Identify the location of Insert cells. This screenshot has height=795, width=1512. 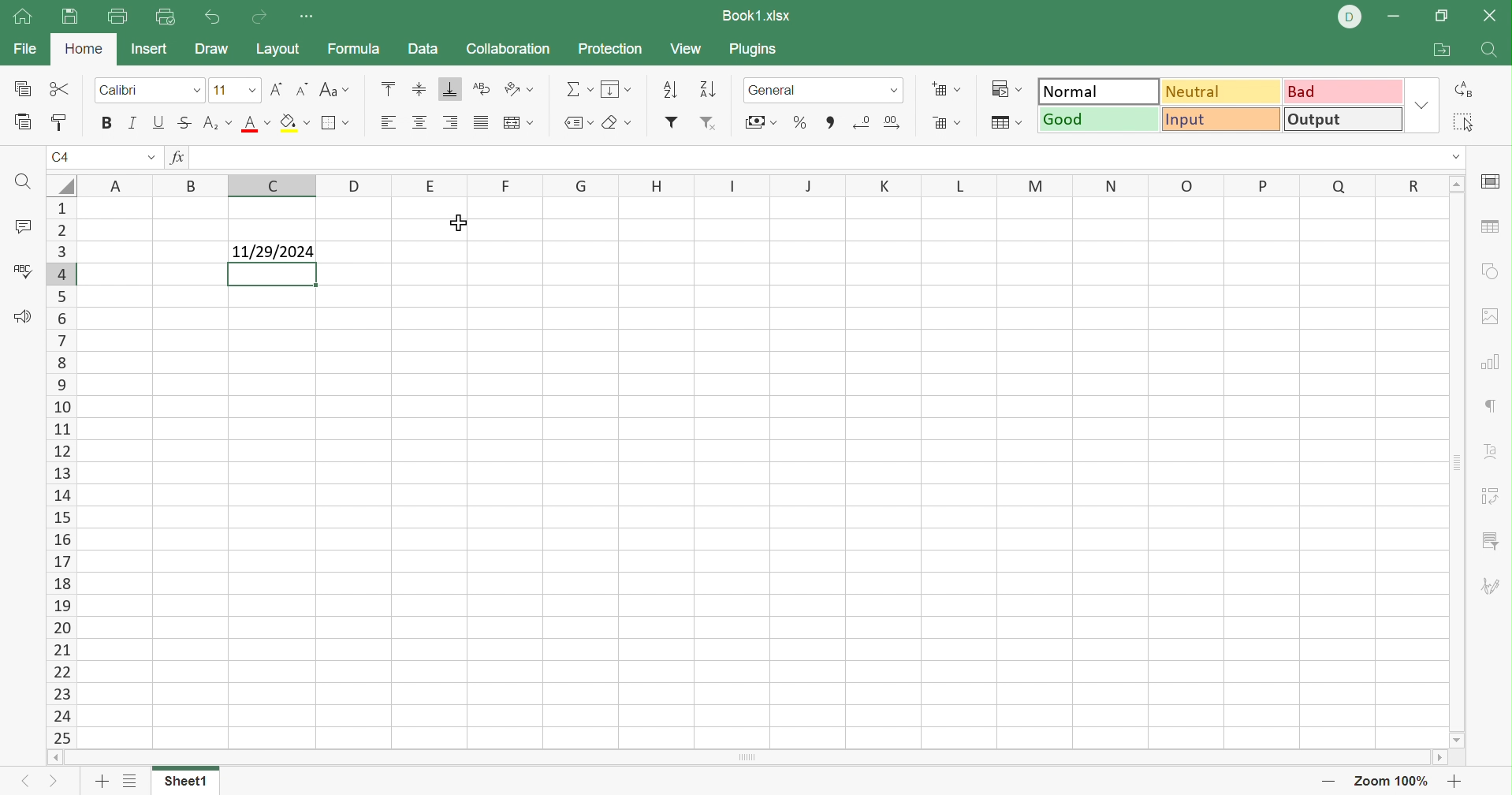
(944, 88).